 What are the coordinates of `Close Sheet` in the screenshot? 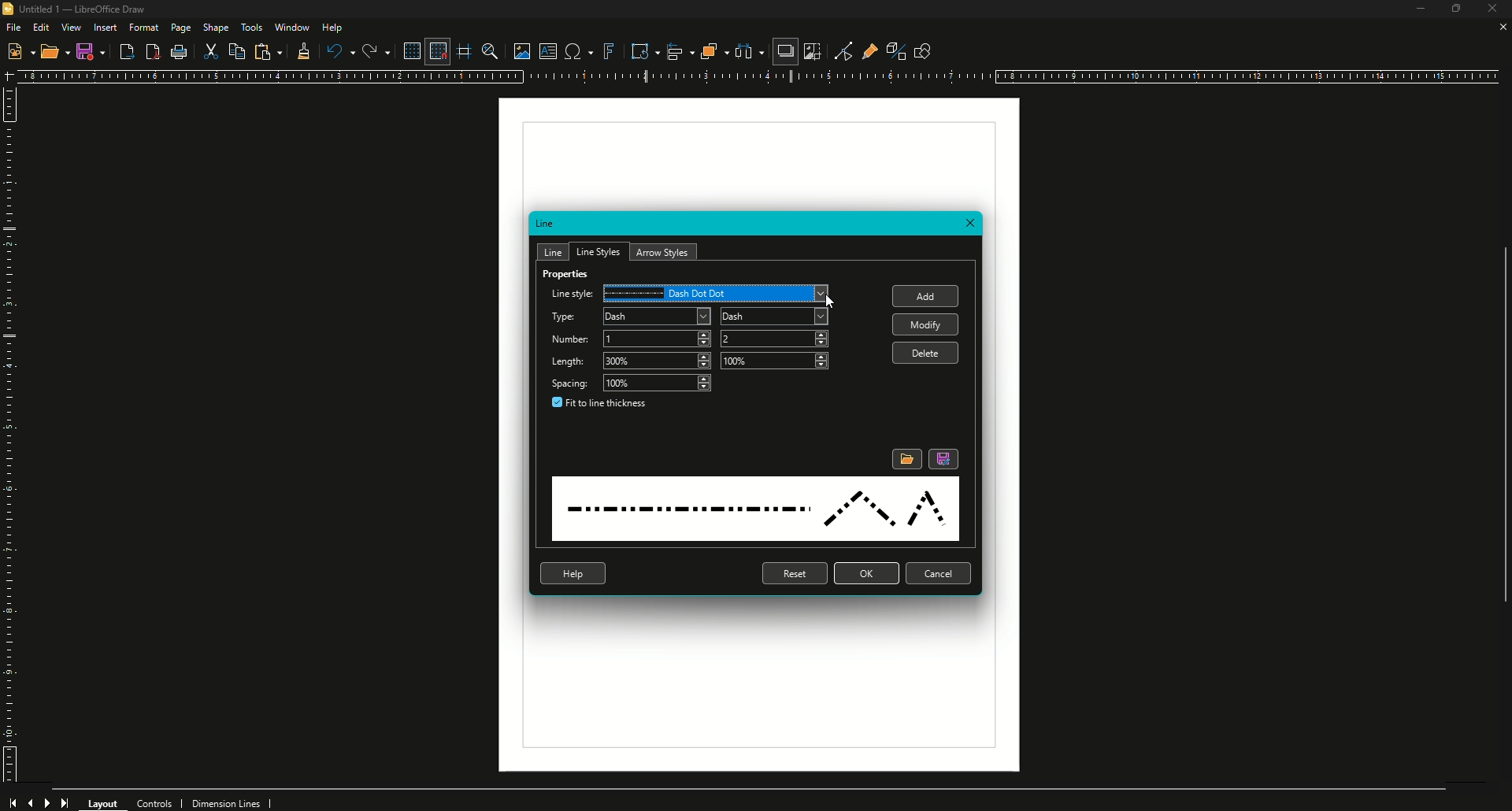 It's located at (1500, 28).